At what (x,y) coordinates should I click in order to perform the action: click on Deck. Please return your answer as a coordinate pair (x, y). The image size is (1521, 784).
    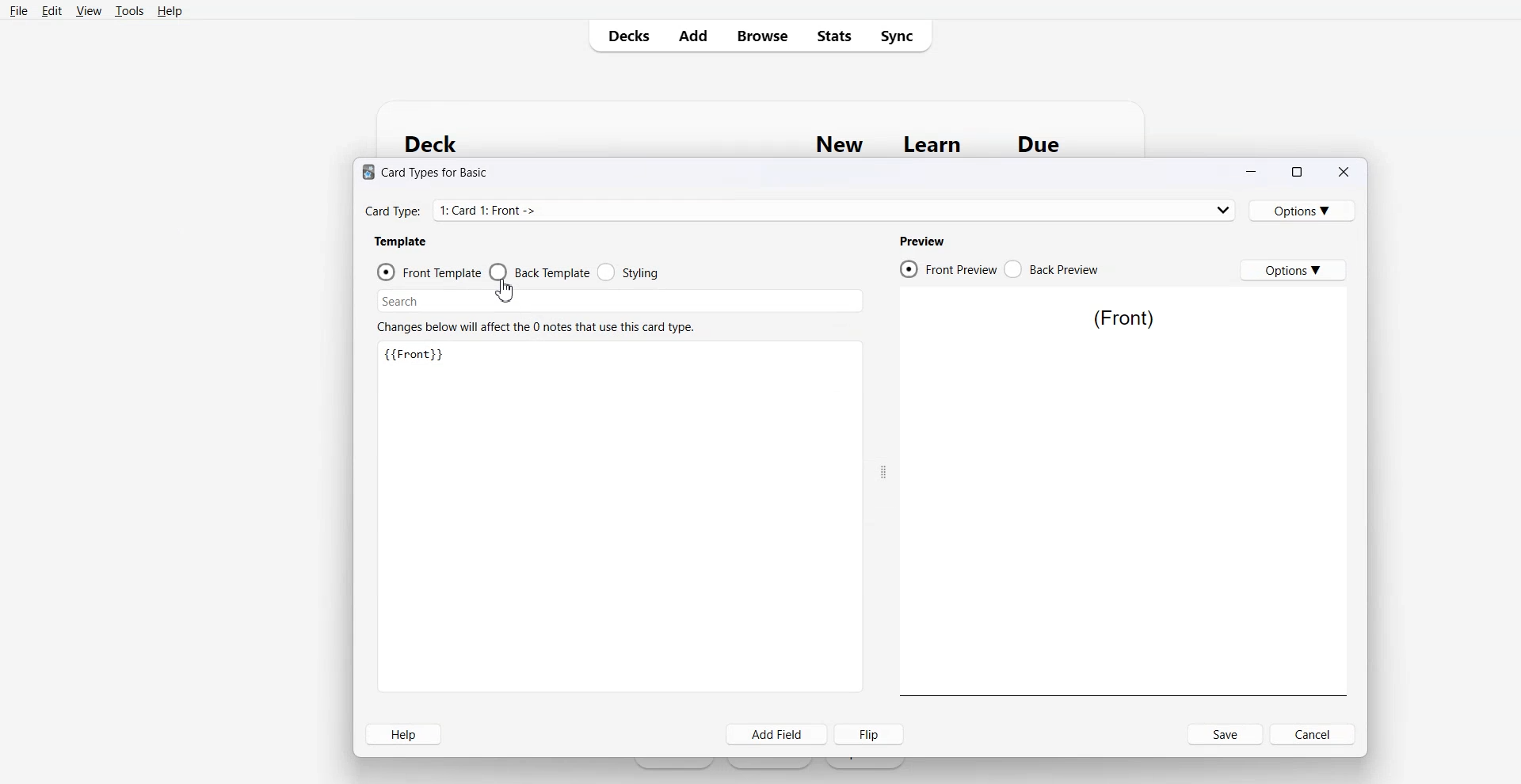
    Looking at the image, I should click on (439, 143).